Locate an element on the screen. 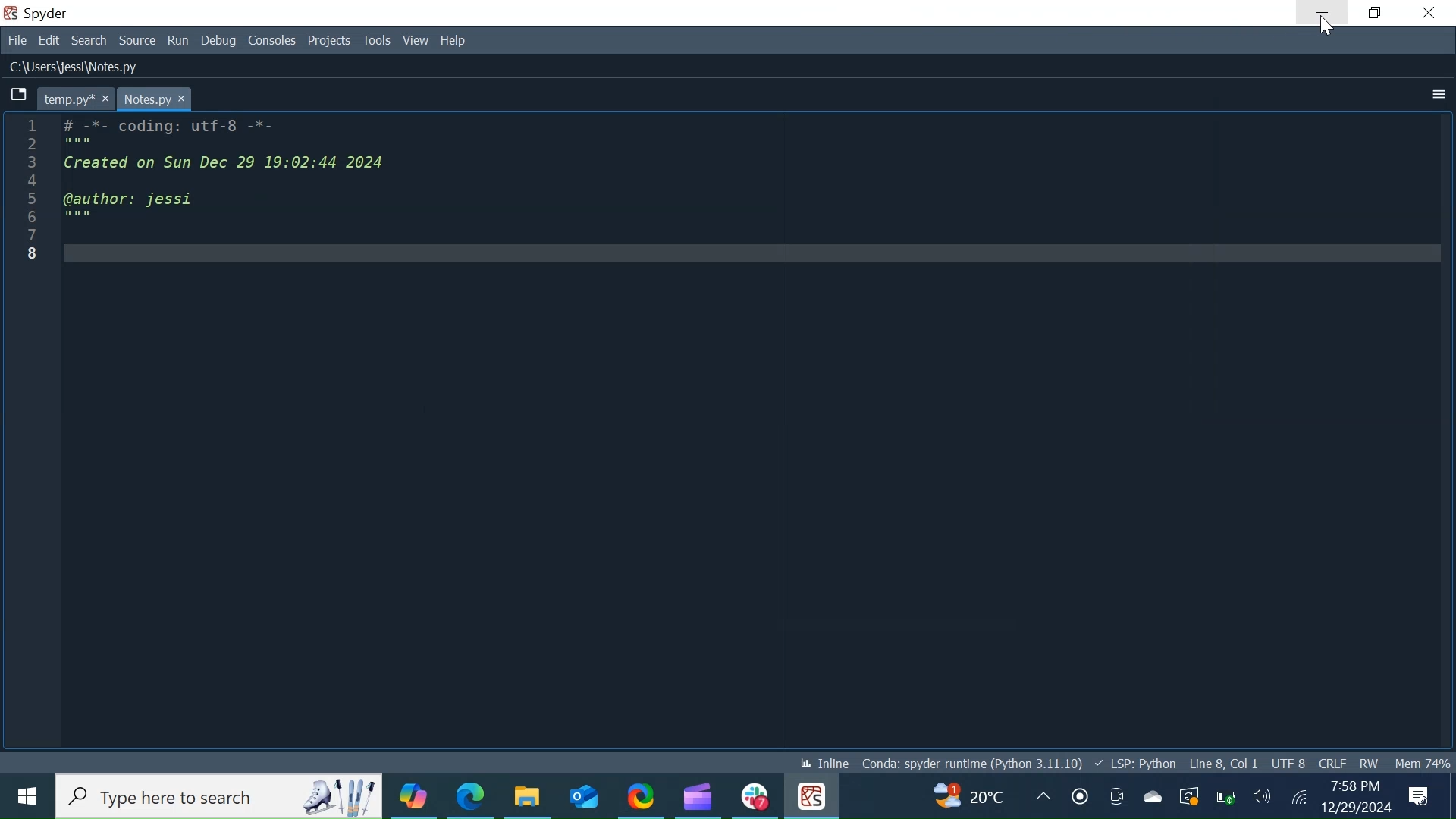 Image resolution: width=1456 pixels, height=819 pixels. View is located at coordinates (416, 42).